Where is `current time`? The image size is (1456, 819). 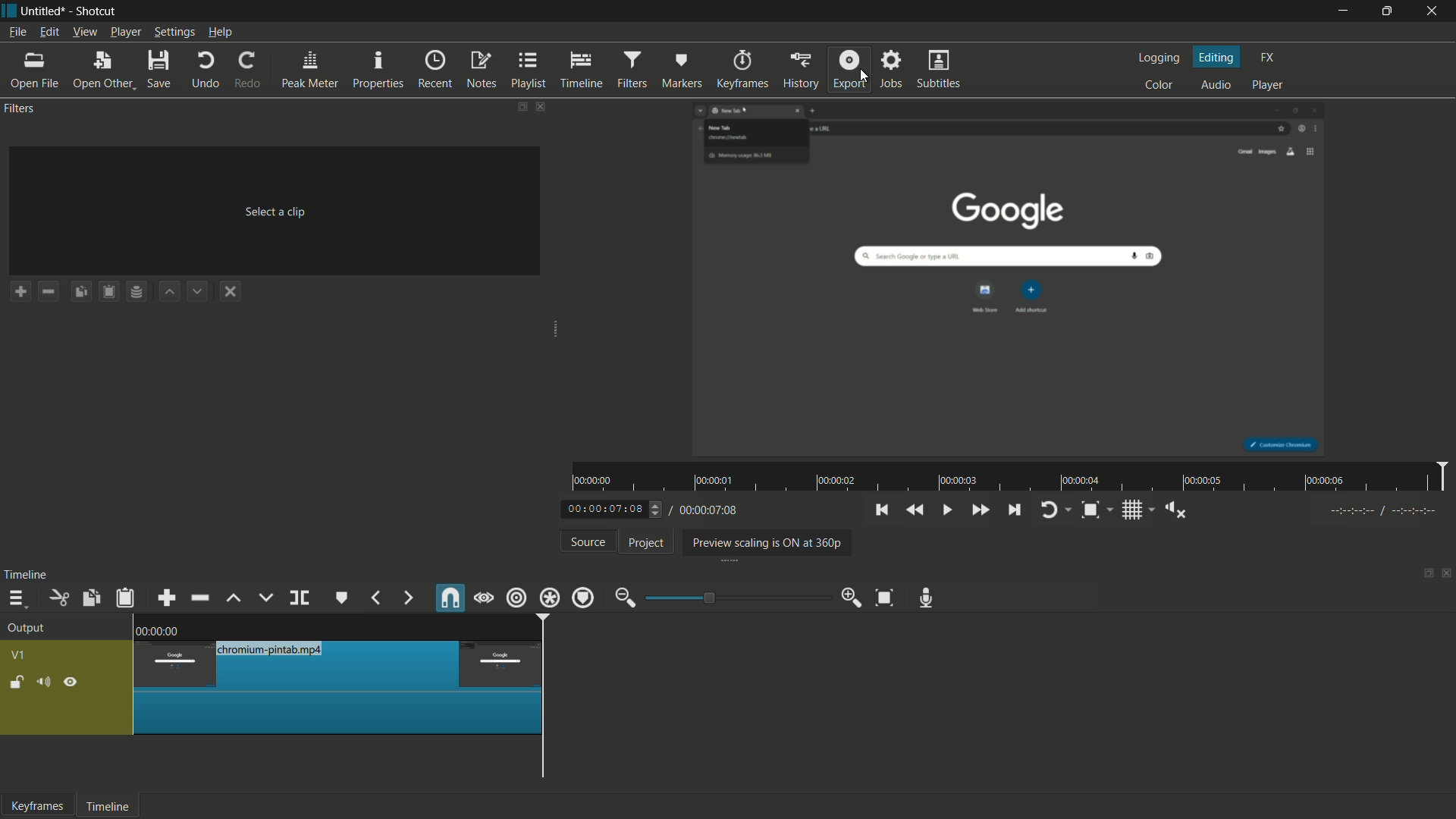
current time is located at coordinates (607, 510).